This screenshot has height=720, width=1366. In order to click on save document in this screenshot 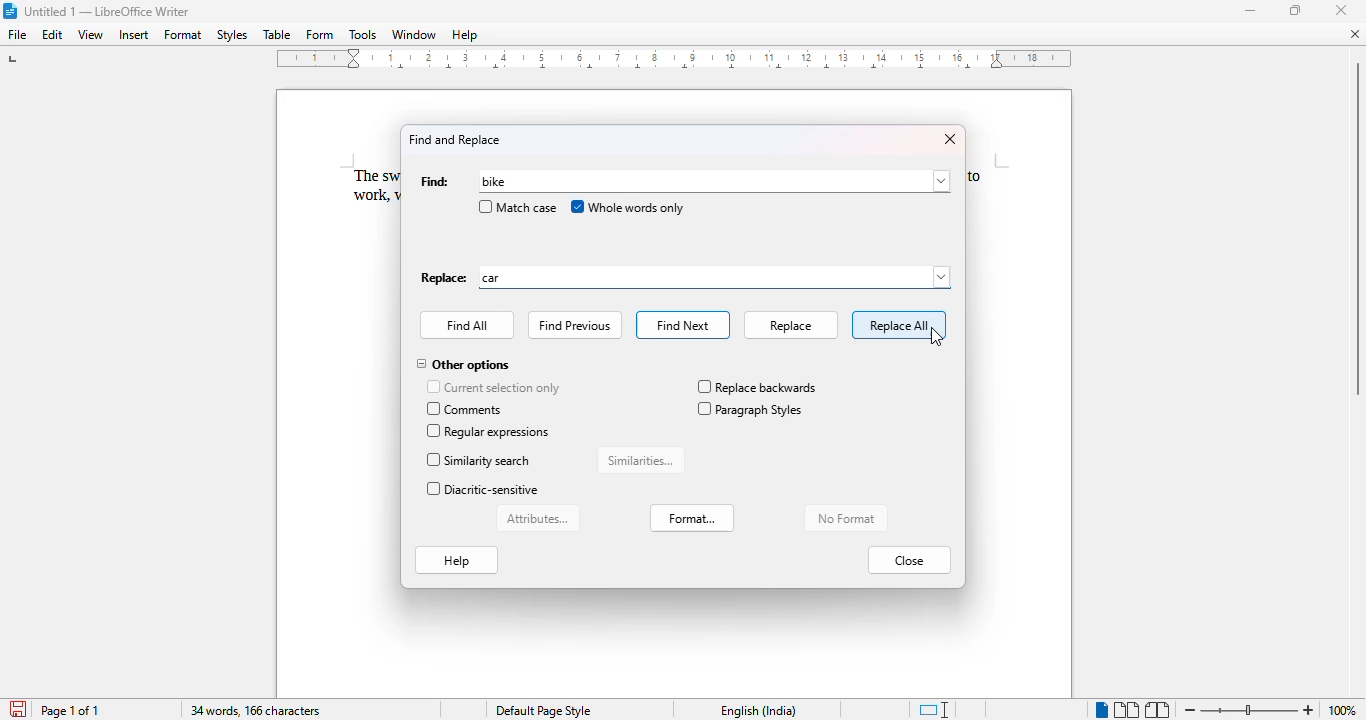, I will do `click(16, 709)`.